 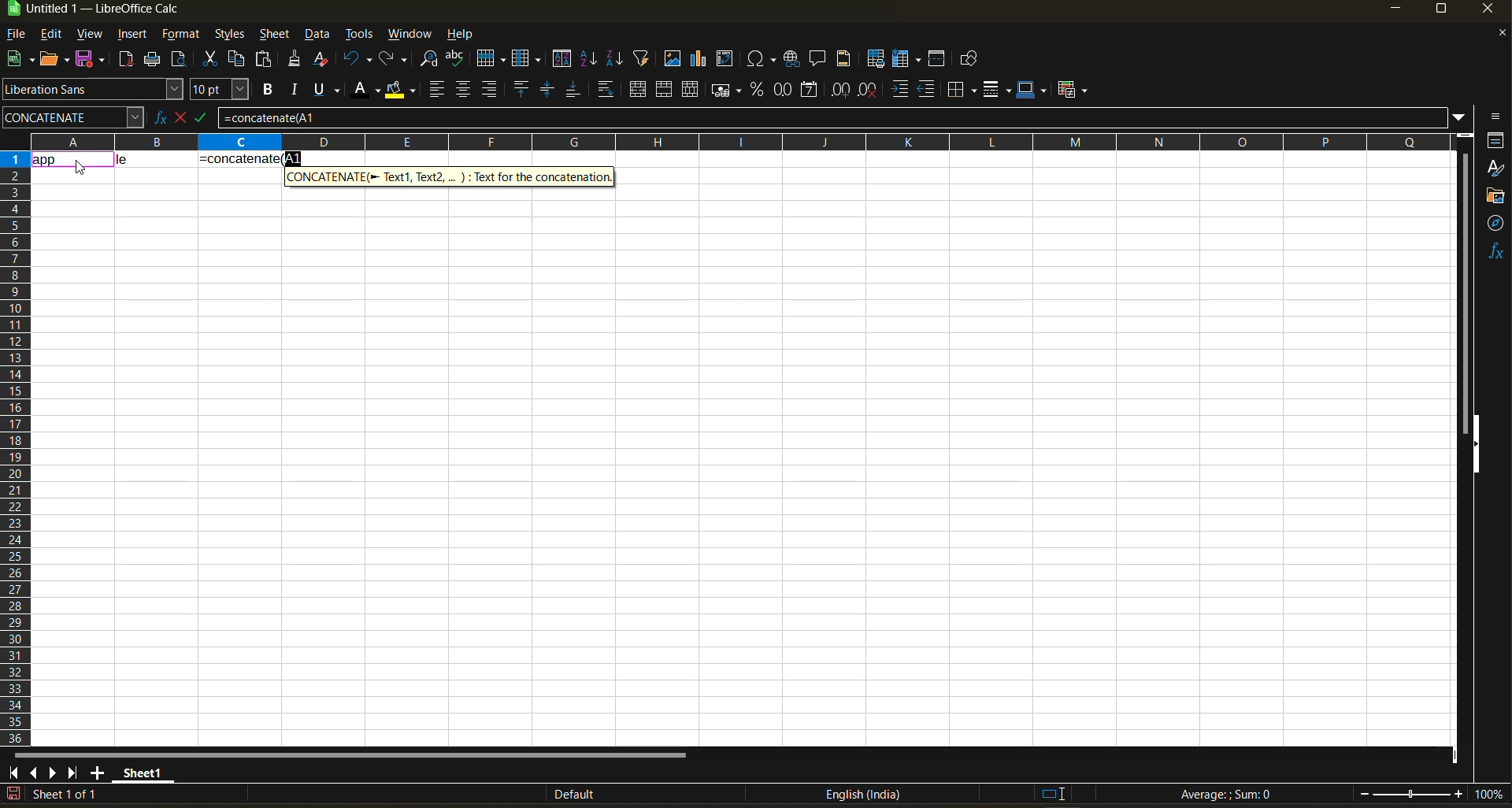 What do you see at coordinates (1032, 89) in the screenshot?
I see `border color` at bounding box center [1032, 89].